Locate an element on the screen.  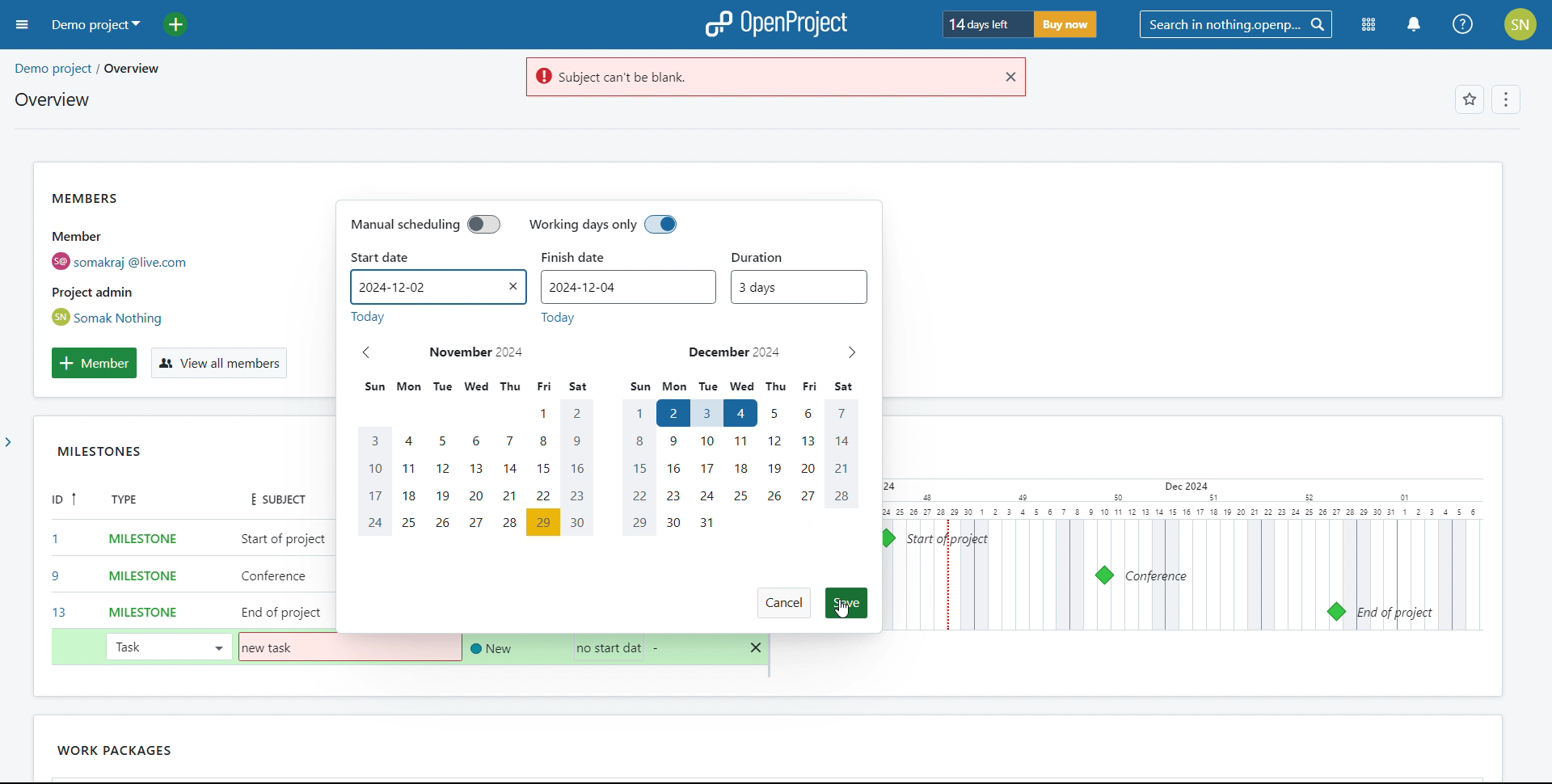
today is located at coordinates (463, 318).